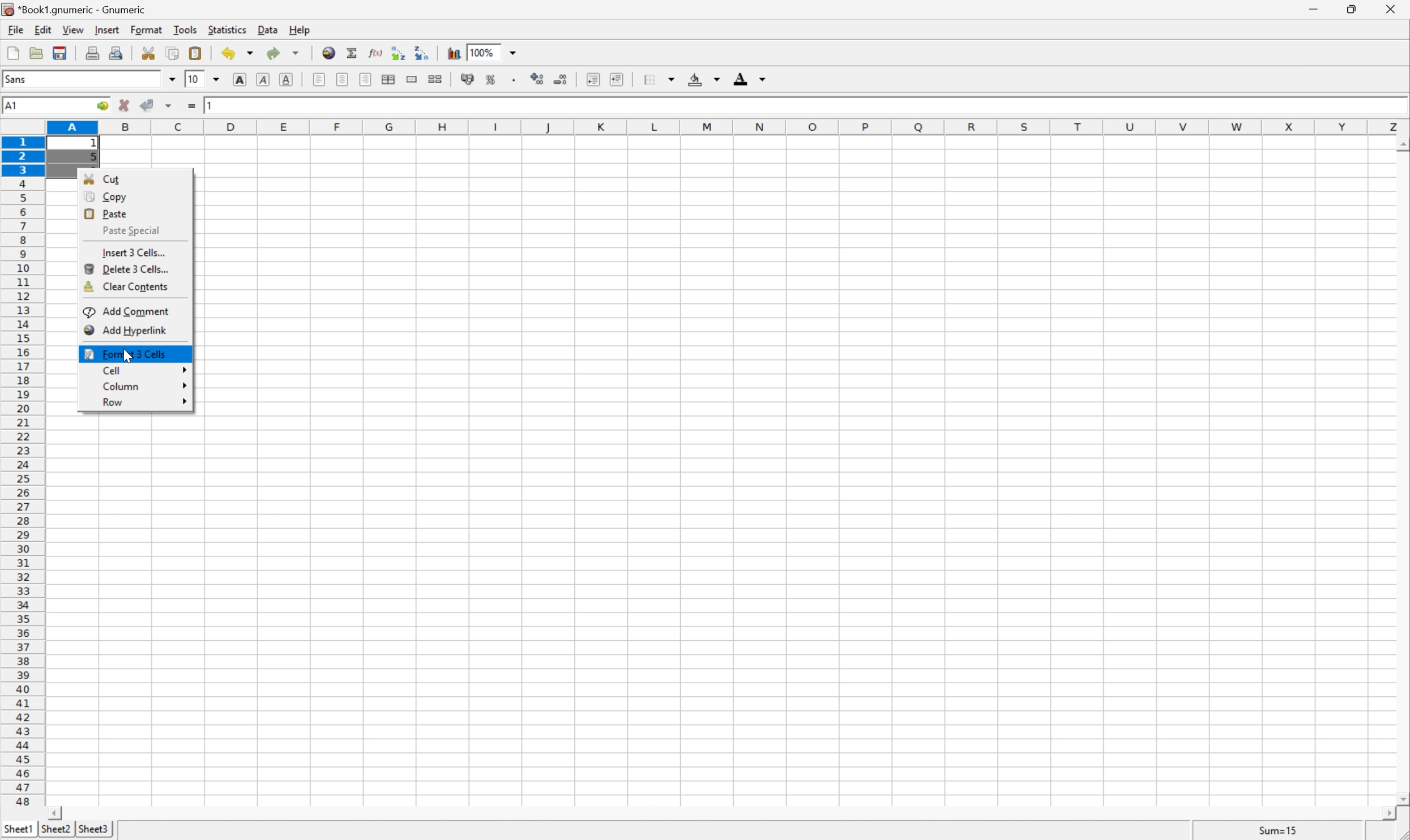 Image resolution: width=1410 pixels, height=840 pixels. I want to click on decrease number of decimals displayed, so click(559, 79).